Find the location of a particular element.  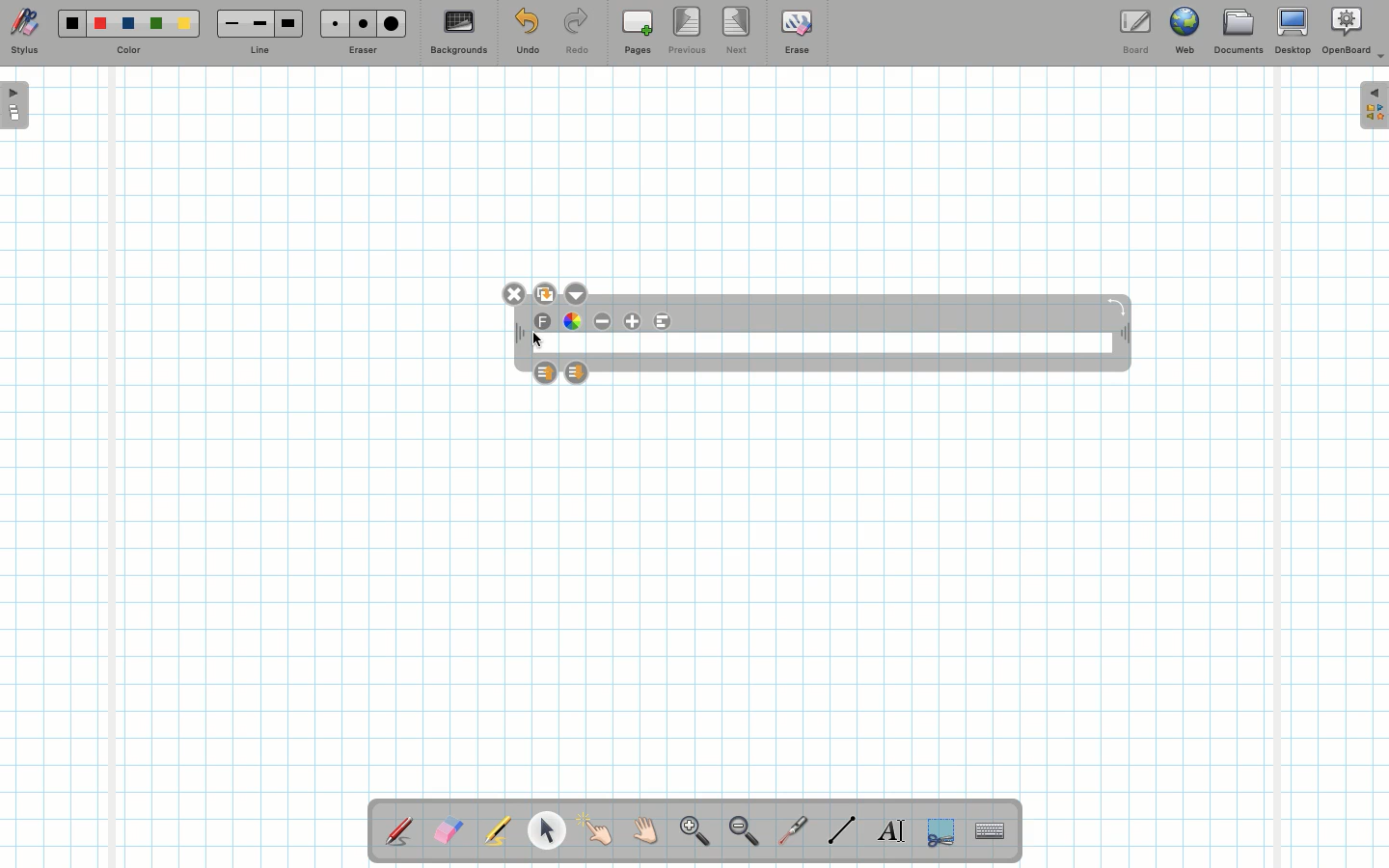

Large line is located at coordinates (289, 23).